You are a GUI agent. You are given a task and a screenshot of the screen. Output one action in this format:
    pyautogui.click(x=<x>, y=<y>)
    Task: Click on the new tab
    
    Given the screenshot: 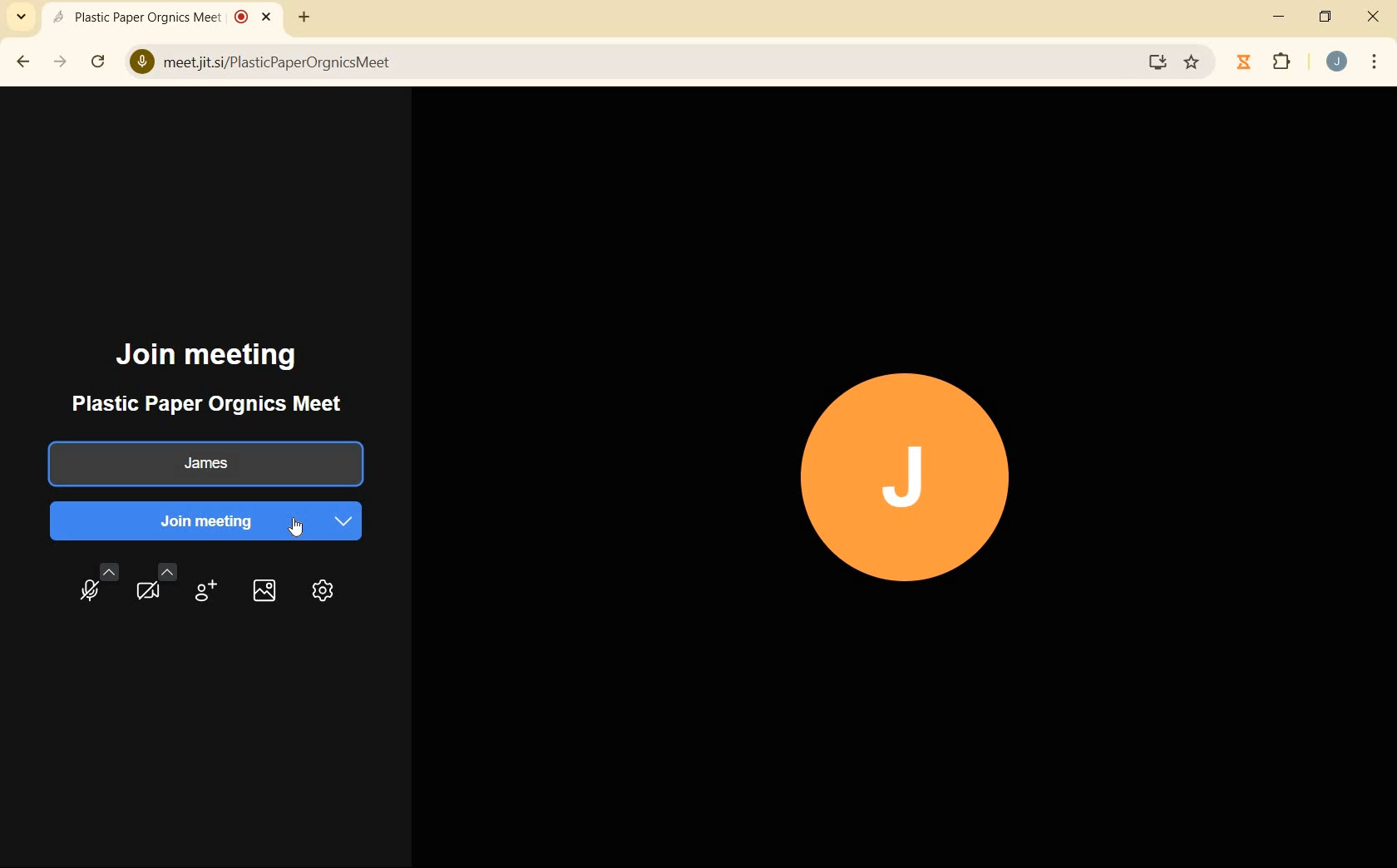 What is the action you would take?
    pyautogui.click(x=301, y=20)
    